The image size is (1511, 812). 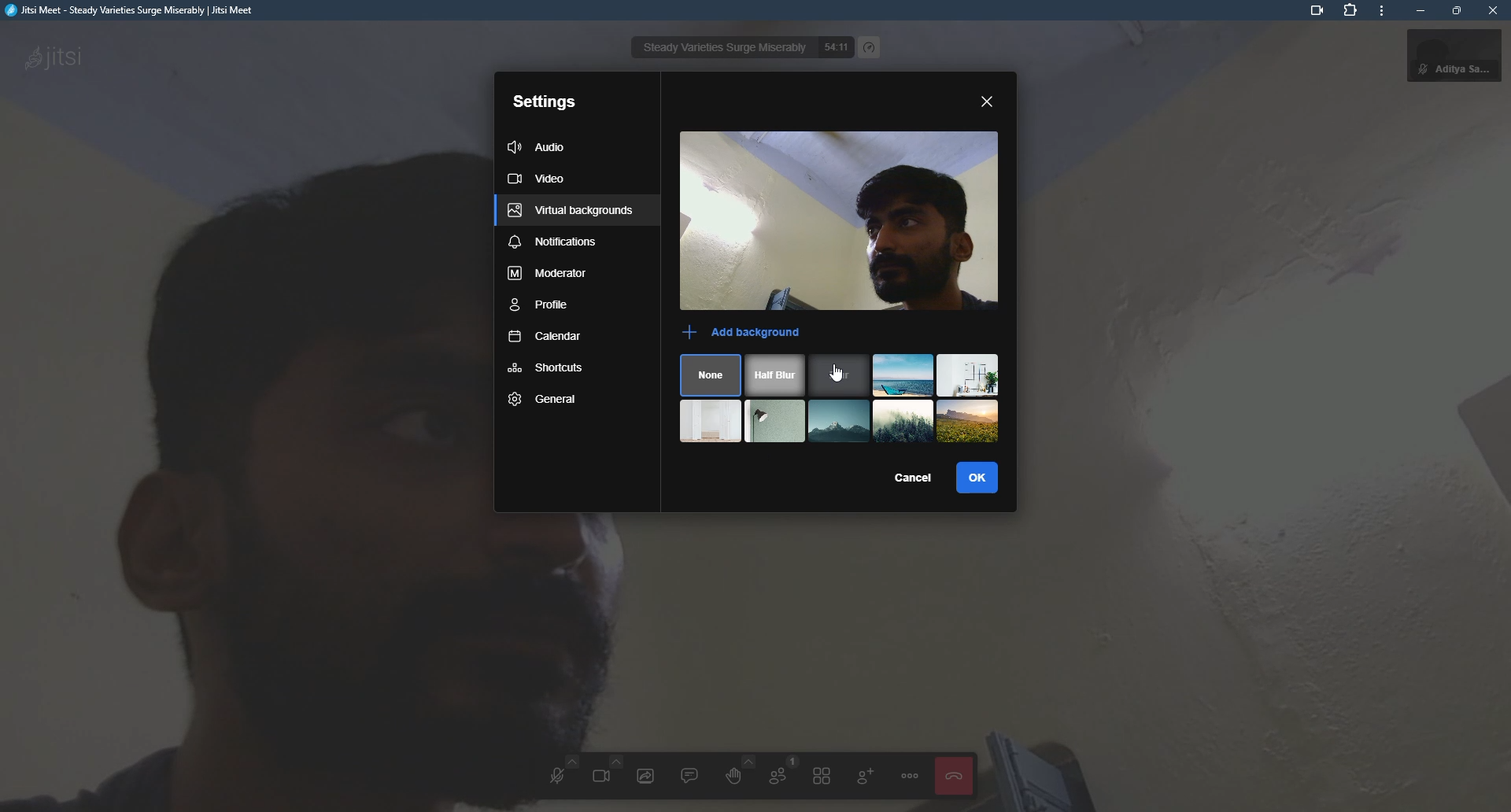 What do you see at coordinates (1419, 70) in the screenshot?
I see `mute` at bounding box center [1419, 70].